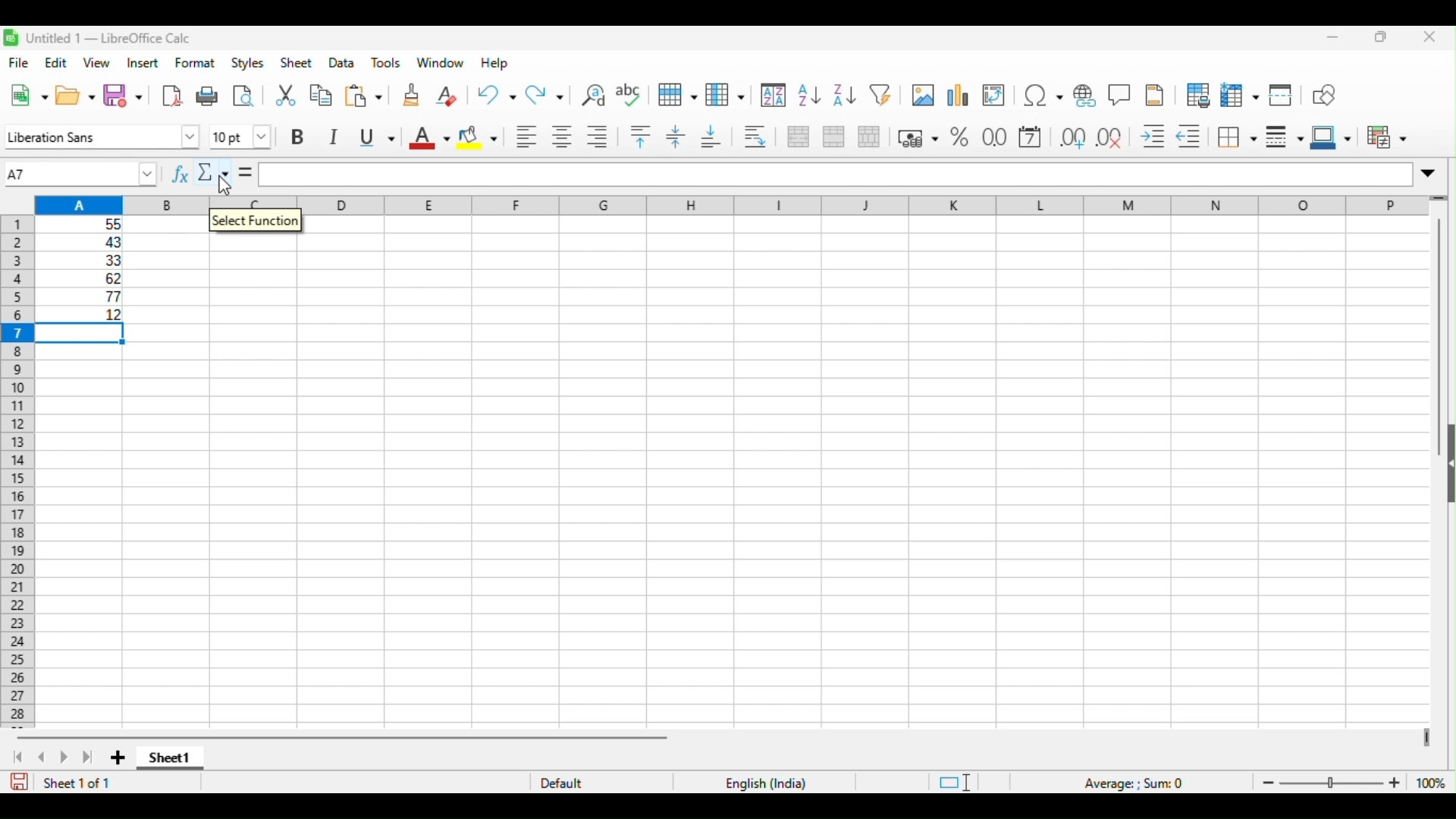 This screenshot has height=819, width=1456. I want to click on standard selection, so click(952, 782).